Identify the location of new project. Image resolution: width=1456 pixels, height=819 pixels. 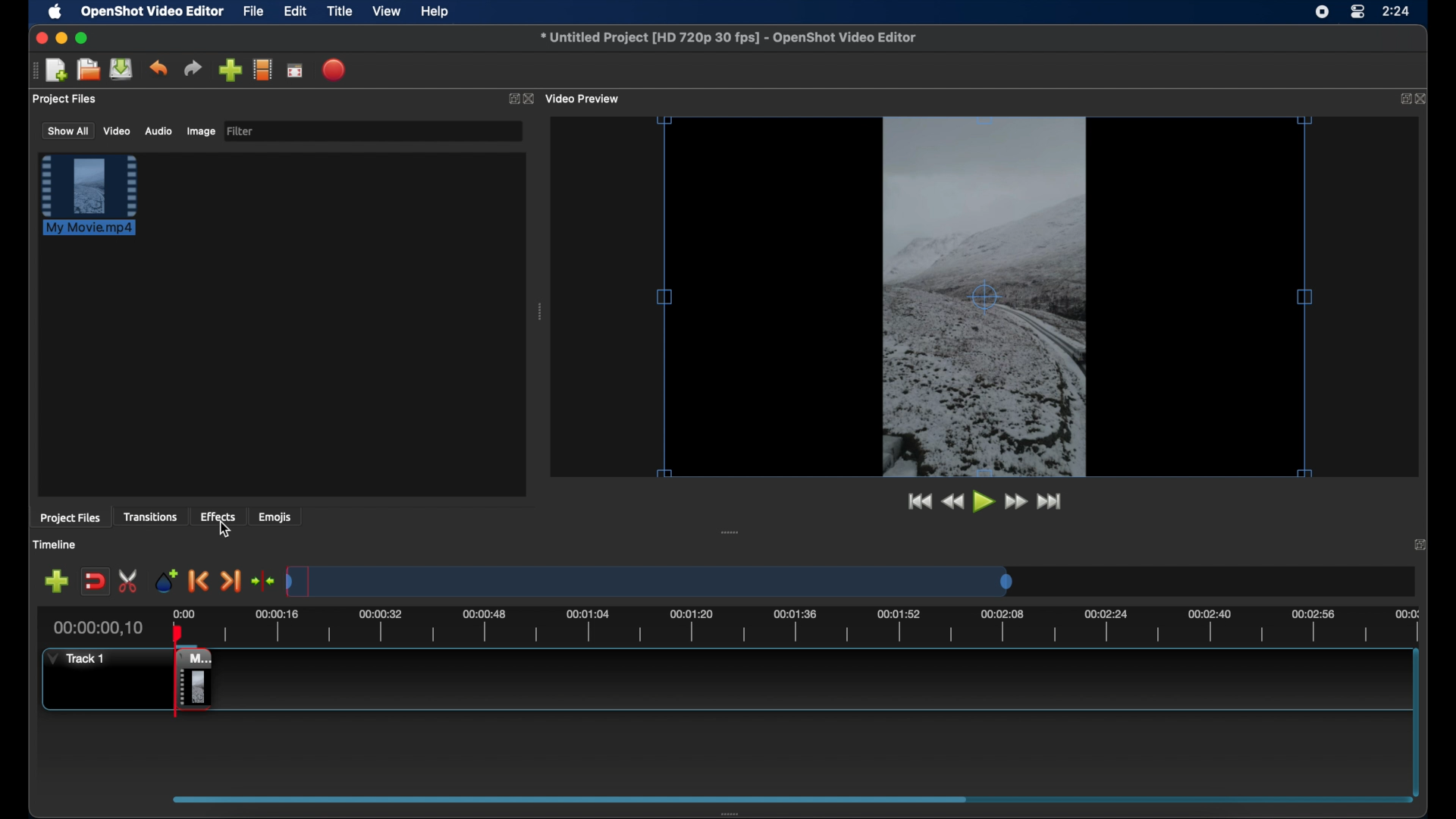
(56, 69).